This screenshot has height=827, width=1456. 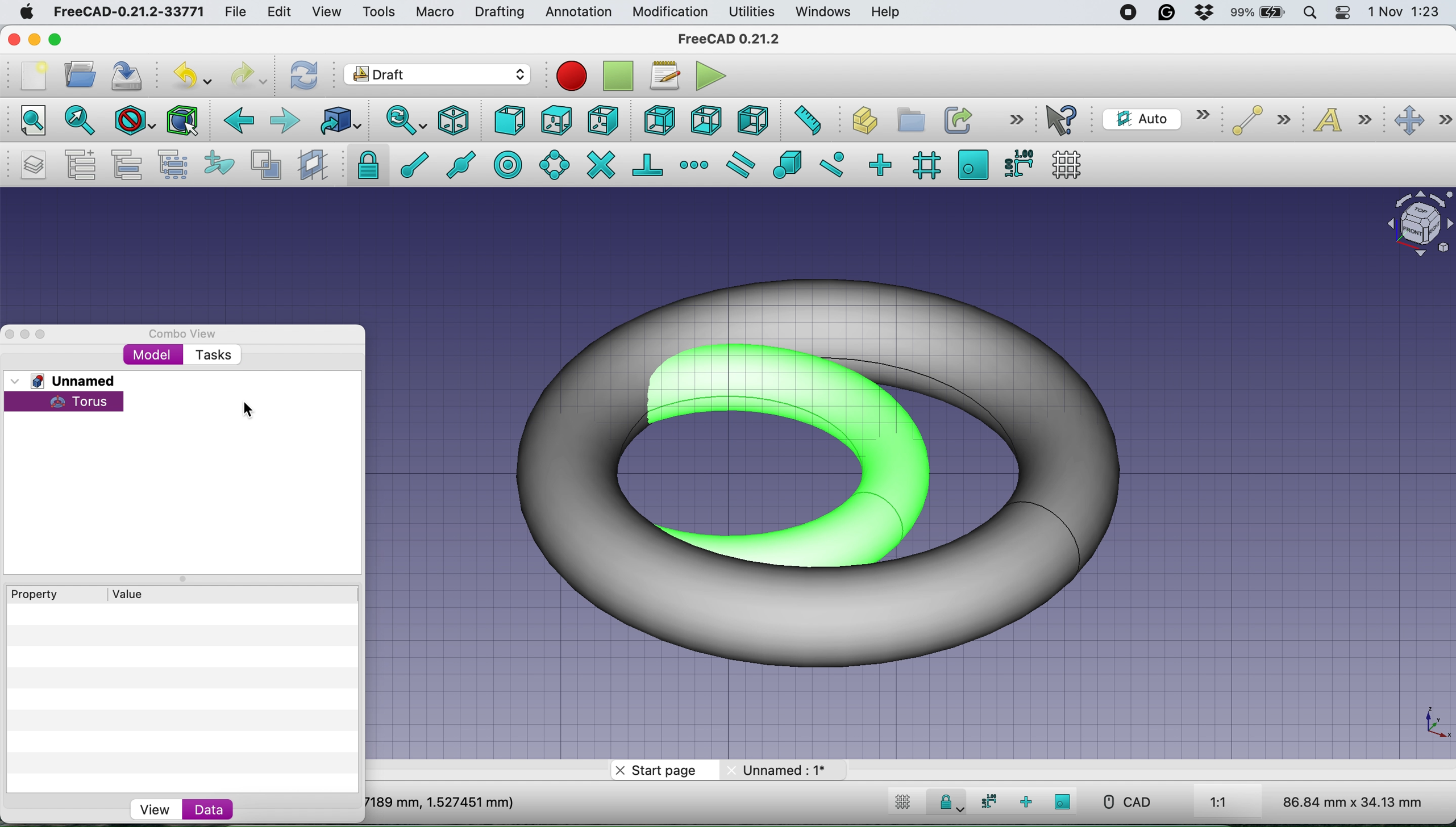 I want to click on line, so click(x=1257, y=121).